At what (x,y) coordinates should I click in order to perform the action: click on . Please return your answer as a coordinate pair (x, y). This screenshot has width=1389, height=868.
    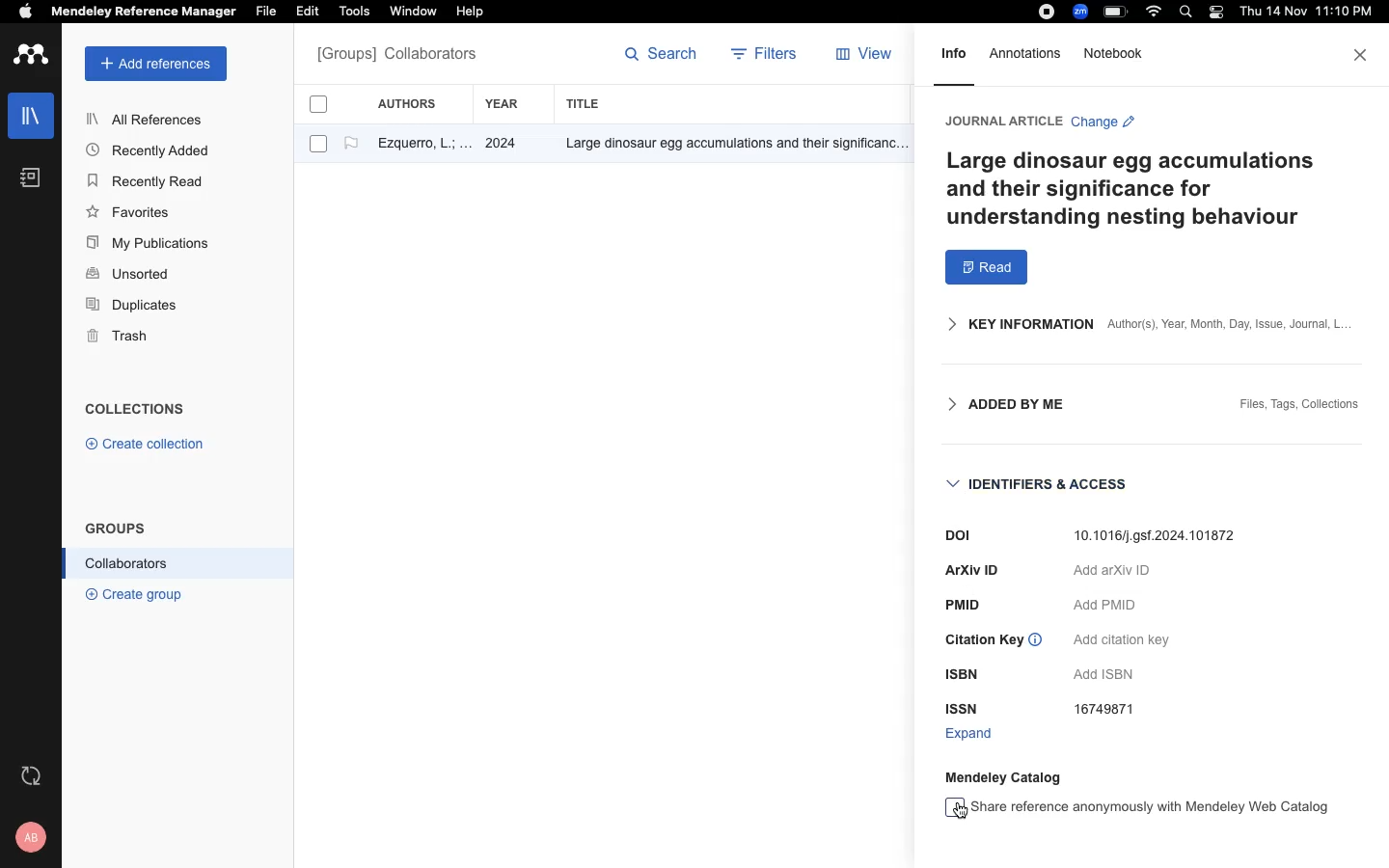
    Looking at the image, I should click on (964, 676).